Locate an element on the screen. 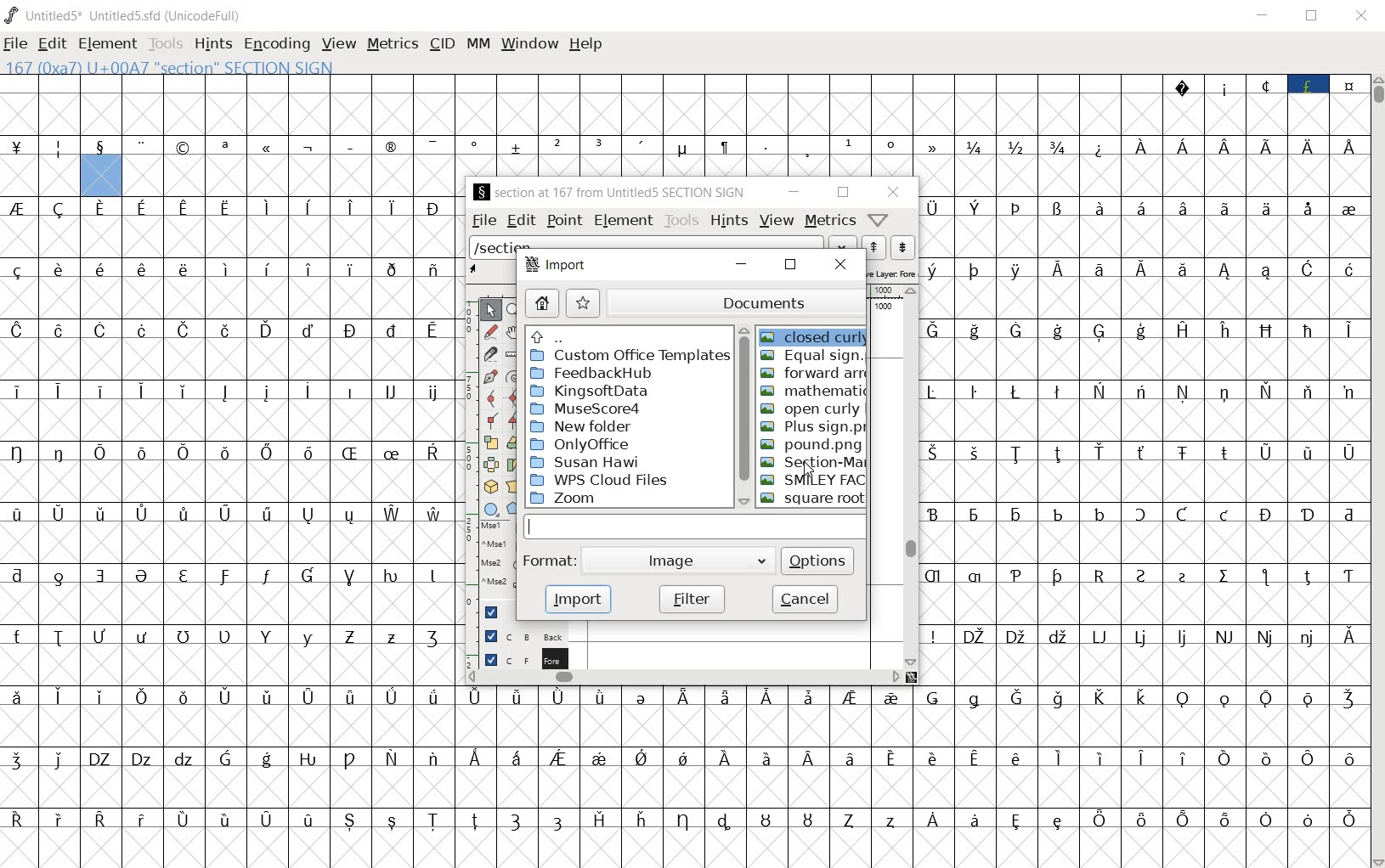  Add a corner point is located at coordinates (492, 420).